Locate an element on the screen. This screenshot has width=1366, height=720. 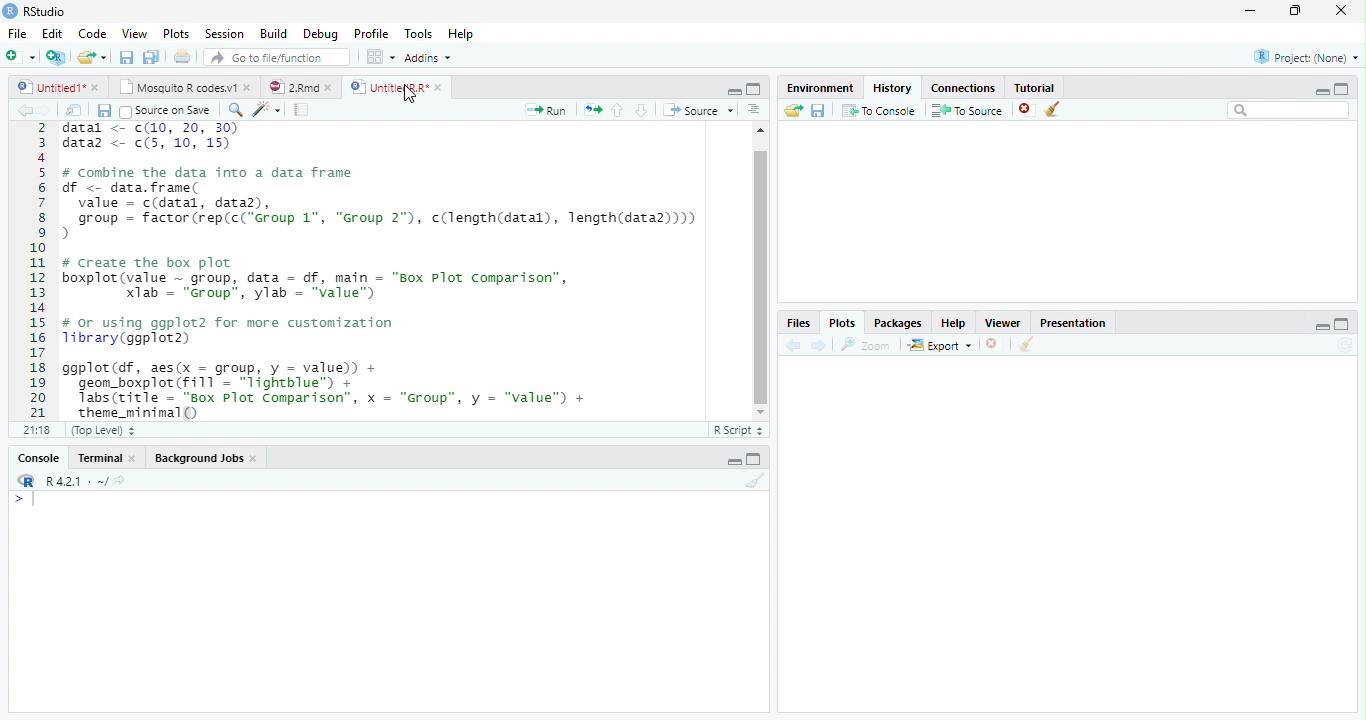
Go to file/function is located at coordinates (278, 57).